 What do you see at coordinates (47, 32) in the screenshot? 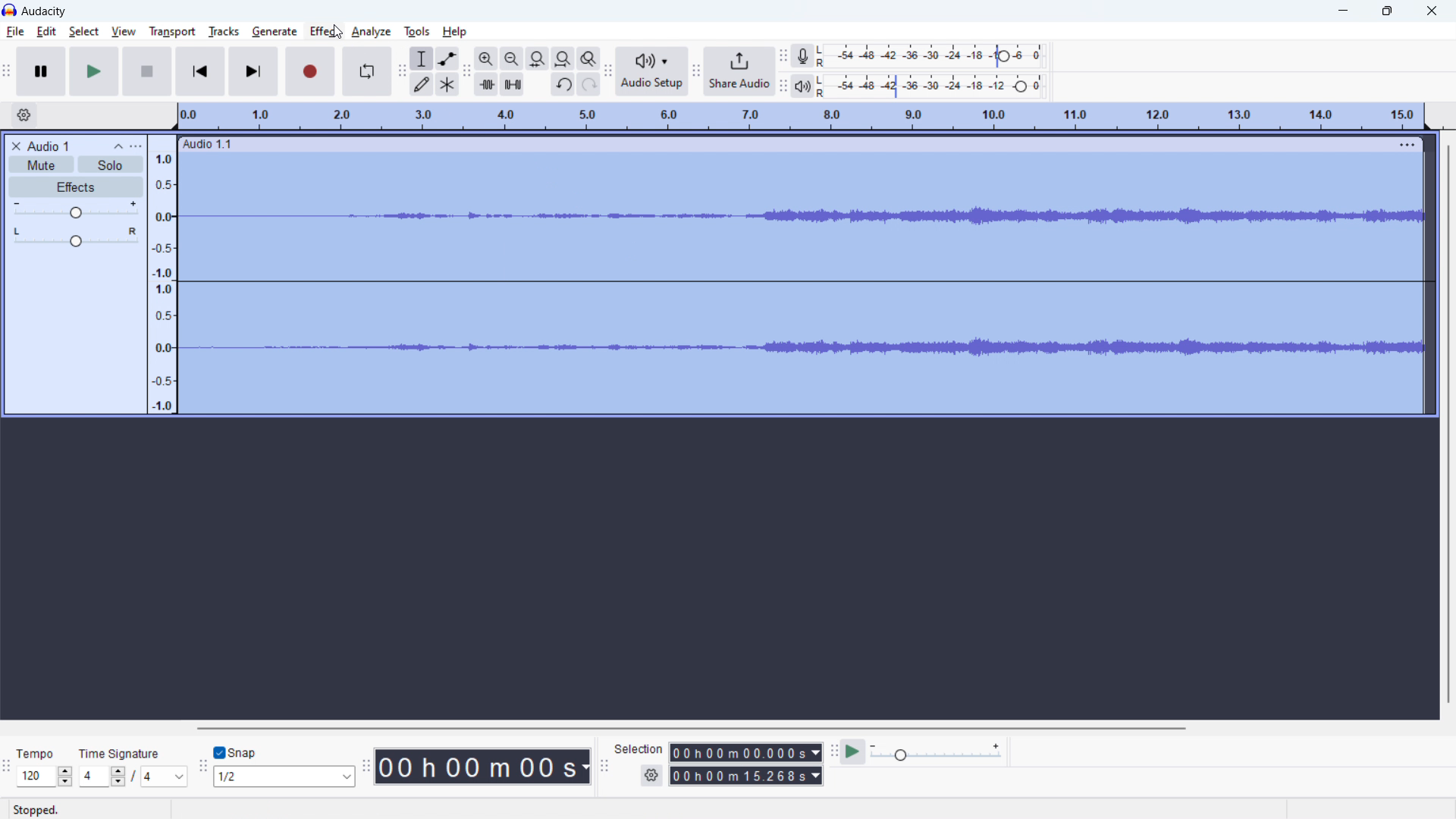
I see `edit` at bounding box center [47, 32].